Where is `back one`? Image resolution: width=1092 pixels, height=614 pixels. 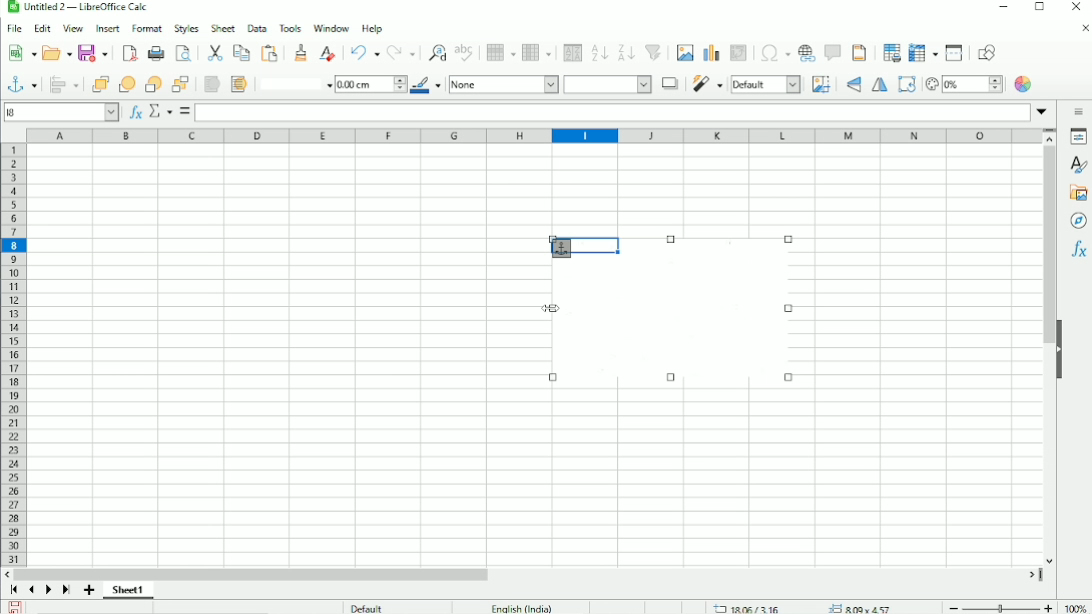 back one is located at coordinates (153, 84).